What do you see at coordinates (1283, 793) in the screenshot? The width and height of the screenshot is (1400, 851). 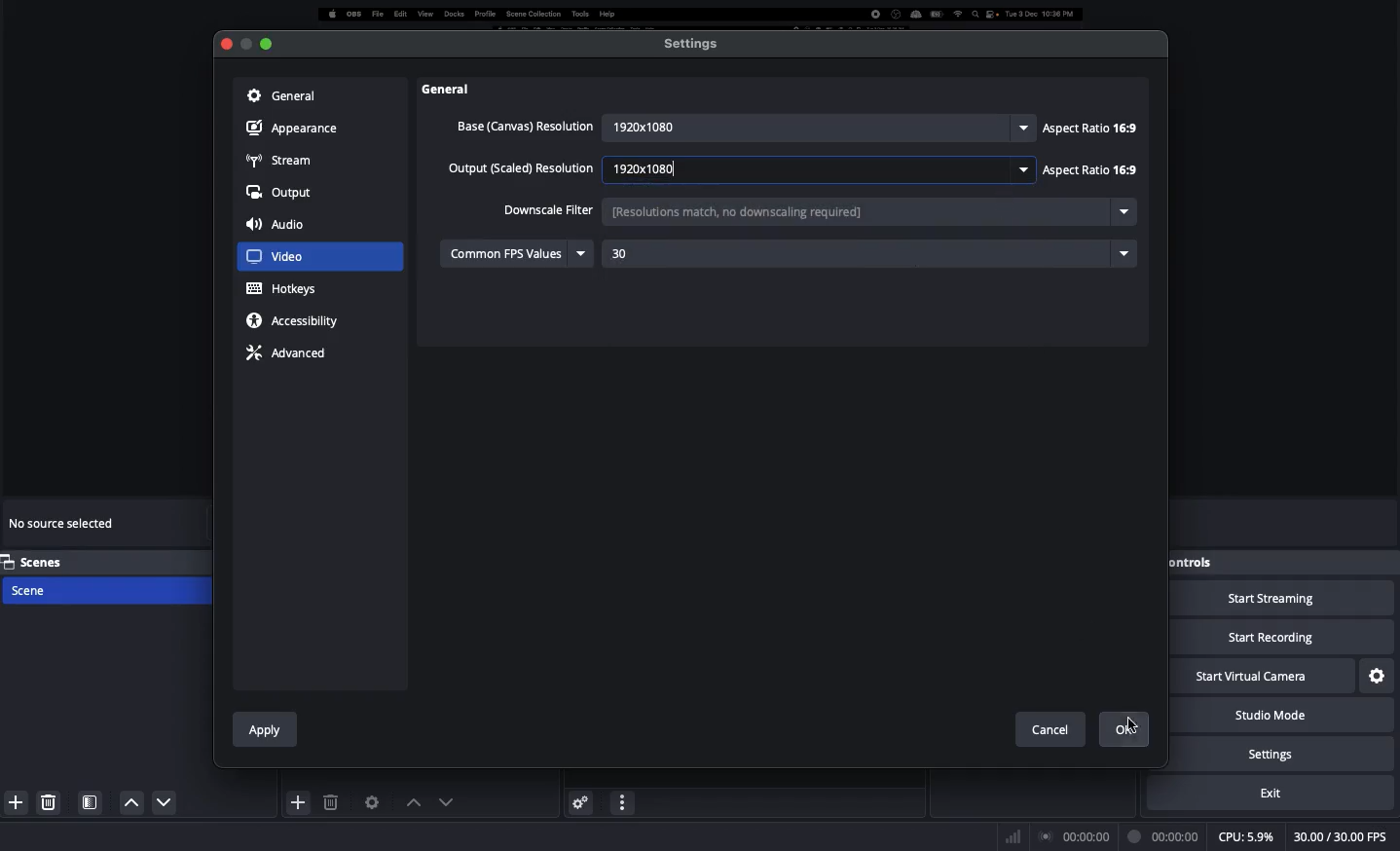 I see `Exit` at bounding box center [1283, 793].